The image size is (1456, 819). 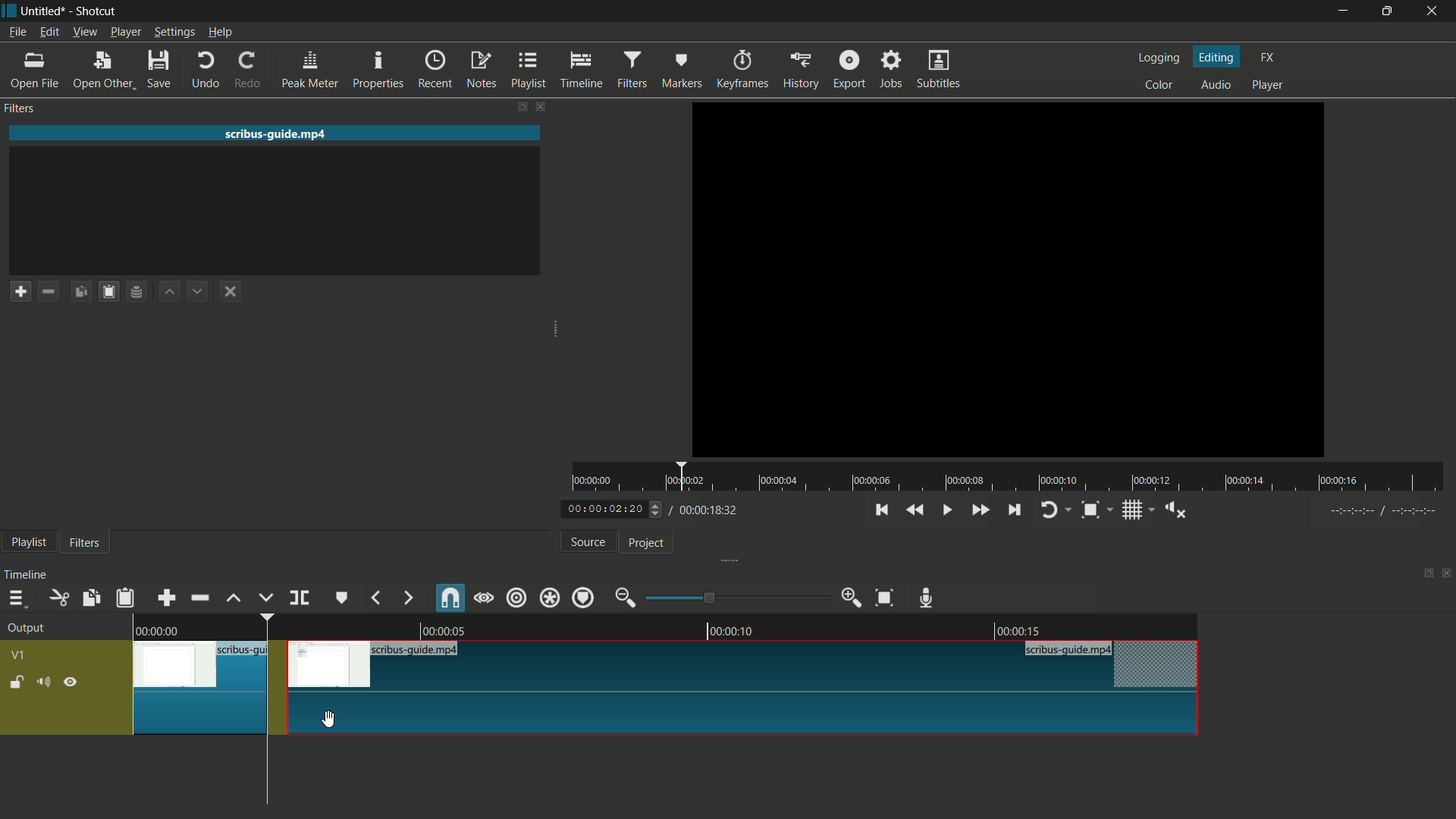 What do you see at coordinates (885, 598) in the screenshot?
I see `zoom timeline to fit` at bounding box center [885, 598].